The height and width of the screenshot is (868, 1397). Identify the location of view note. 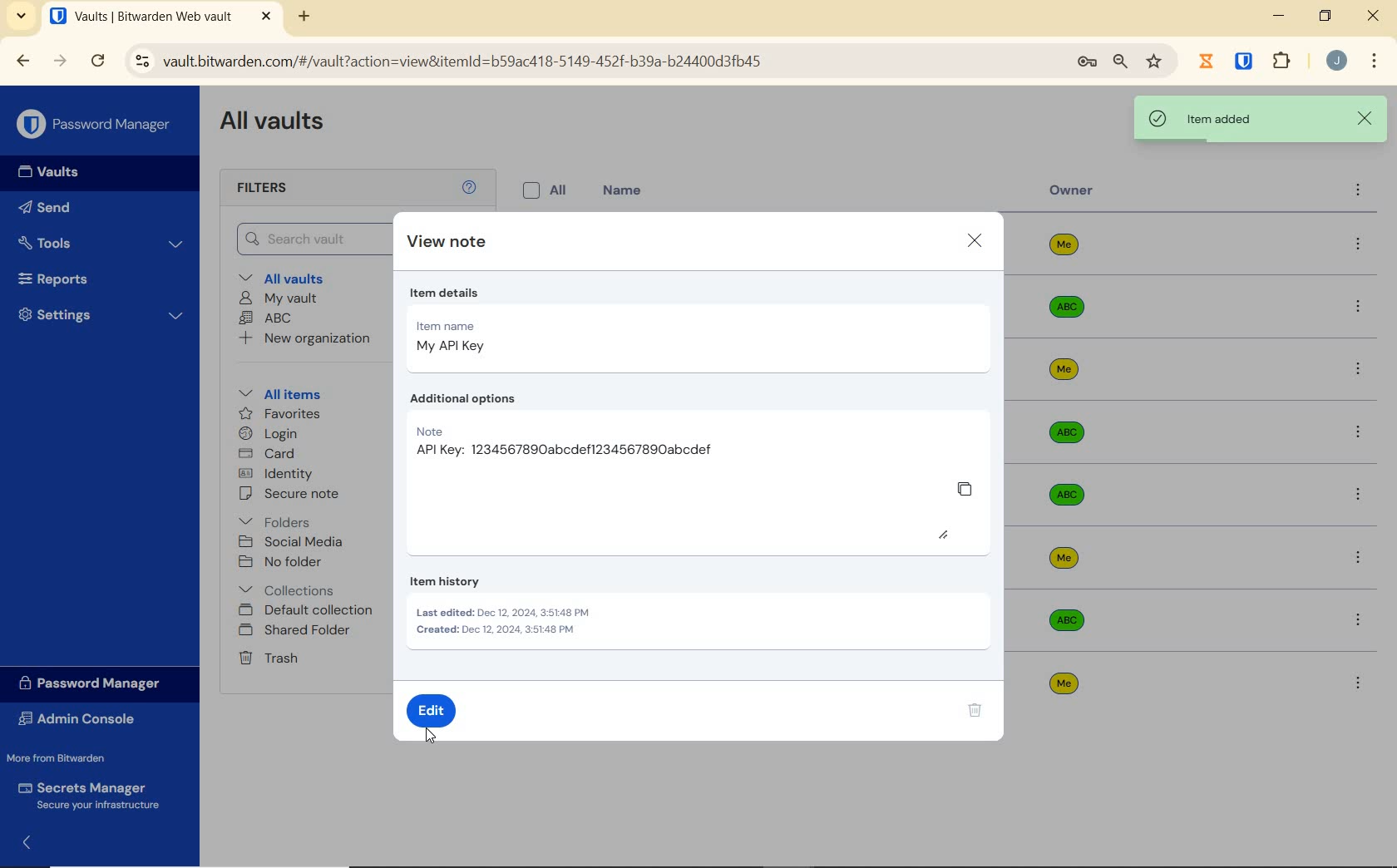
(447, 239).